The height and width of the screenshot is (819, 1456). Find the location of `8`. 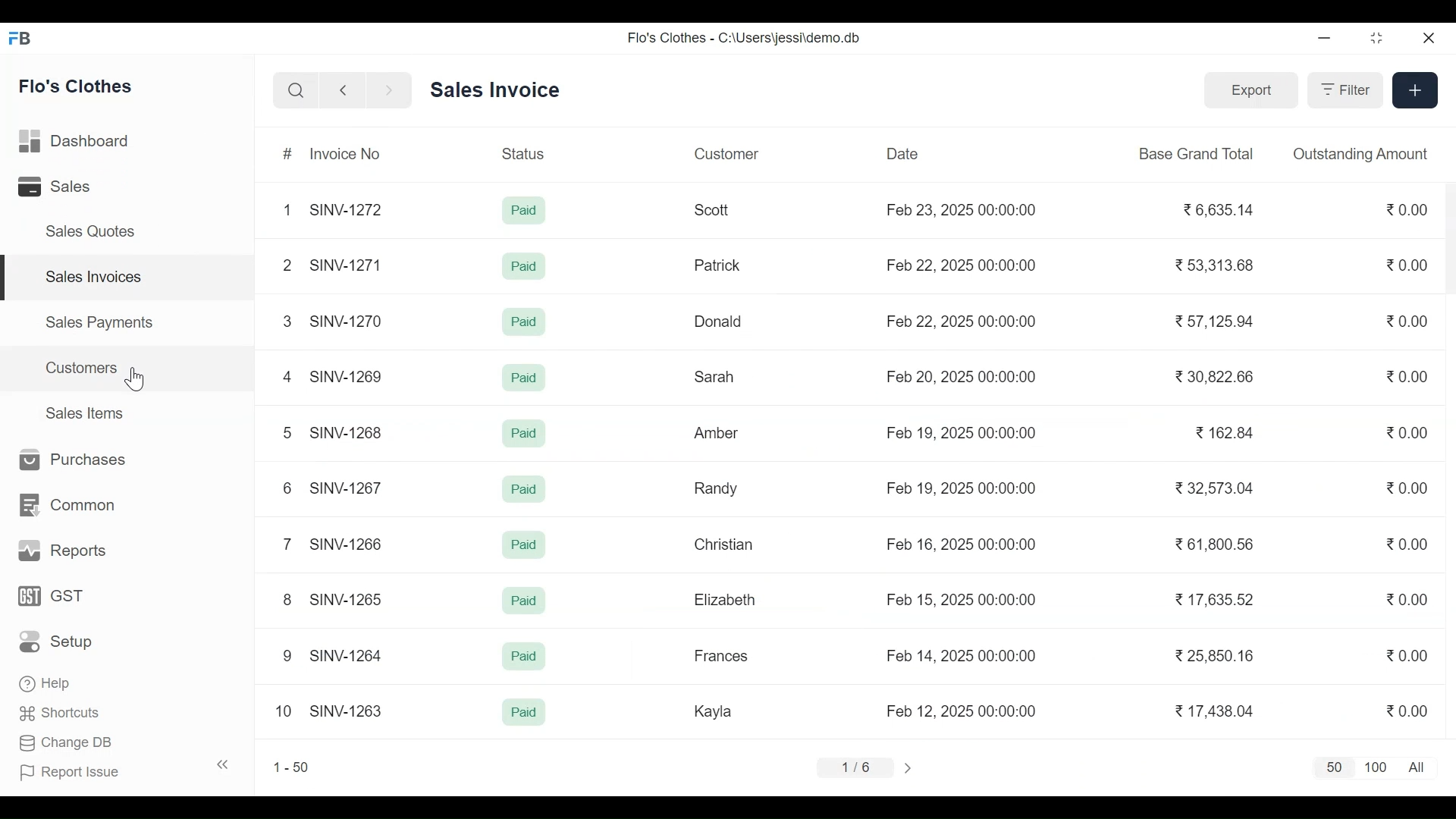

8 is located at coordinates (287, 600).